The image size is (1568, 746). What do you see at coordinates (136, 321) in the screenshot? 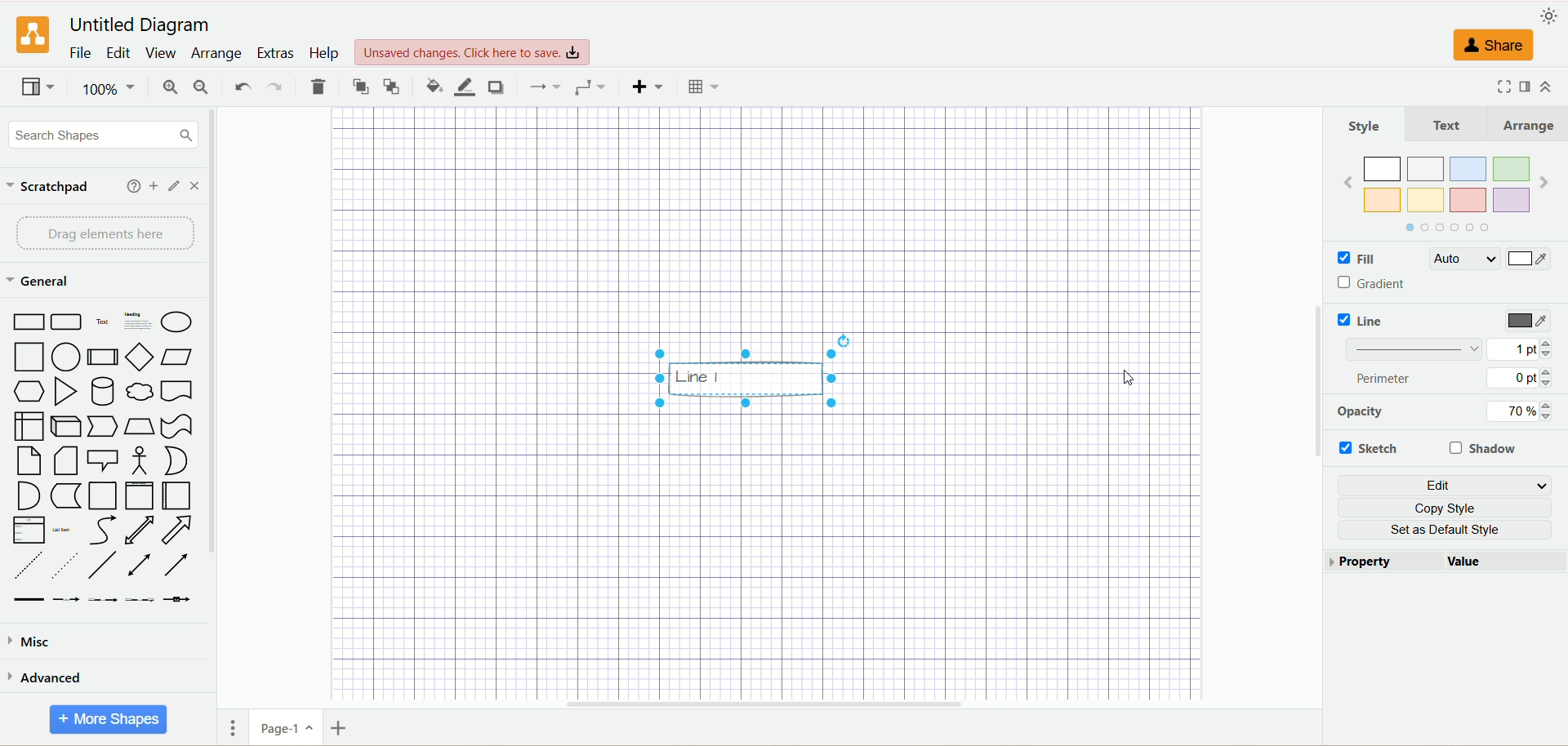
I see `Textbox` at bounding box center [136, 321].